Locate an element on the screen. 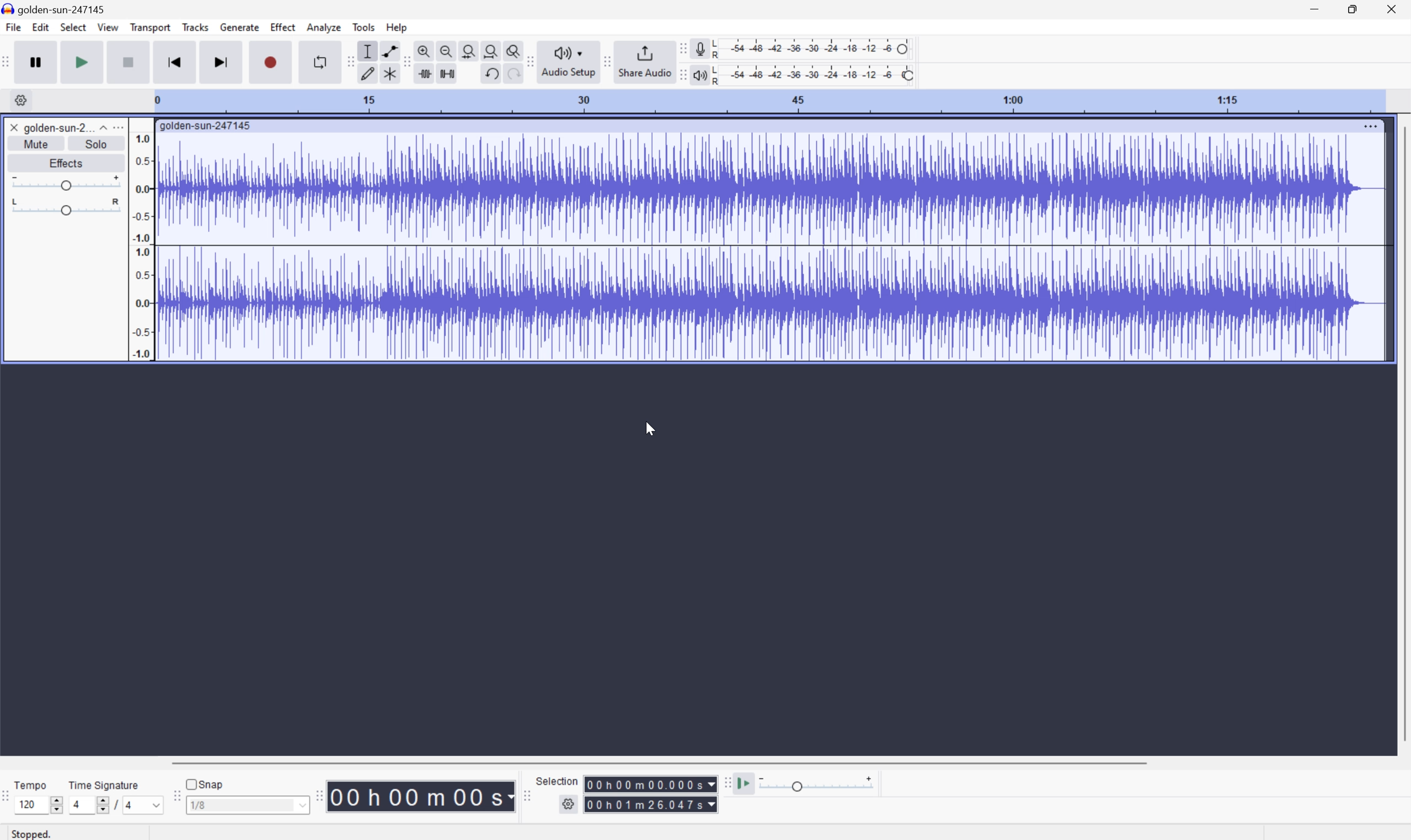   is located at coordinates (510, 75).